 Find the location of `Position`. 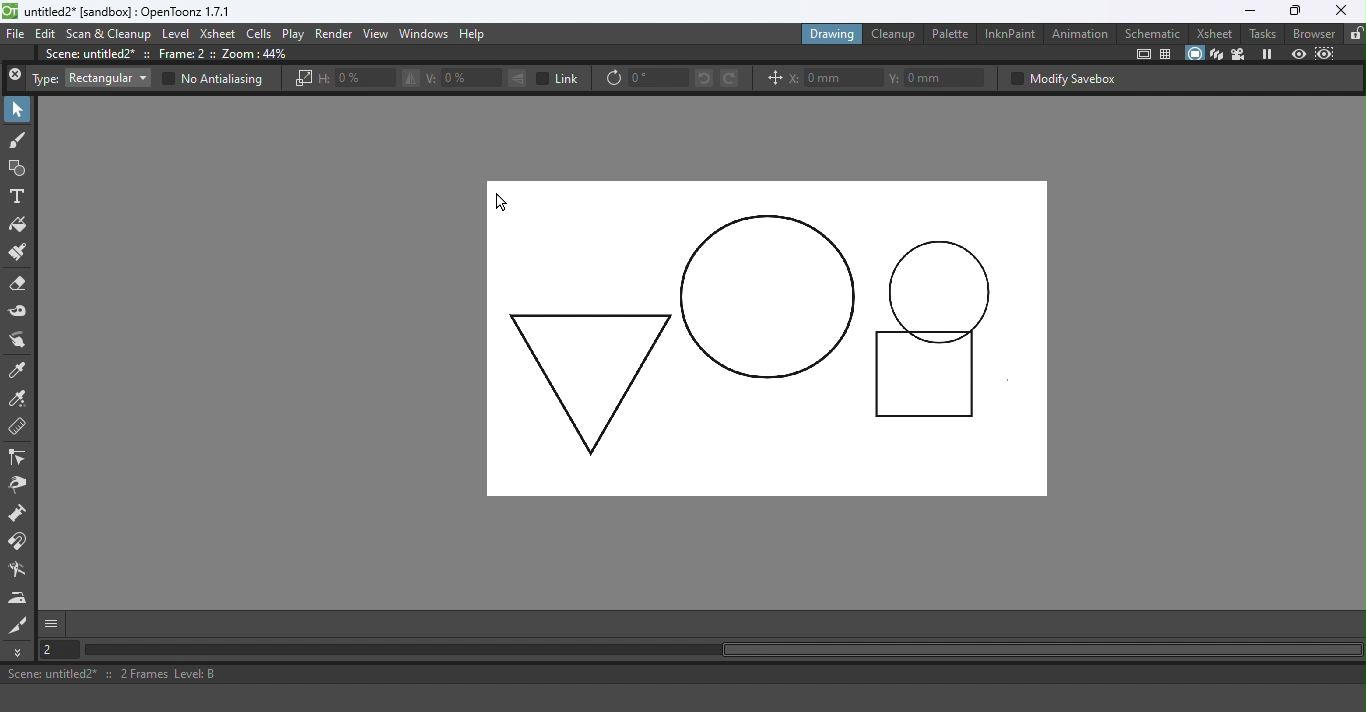

Position is located at coordinates (772, 80).